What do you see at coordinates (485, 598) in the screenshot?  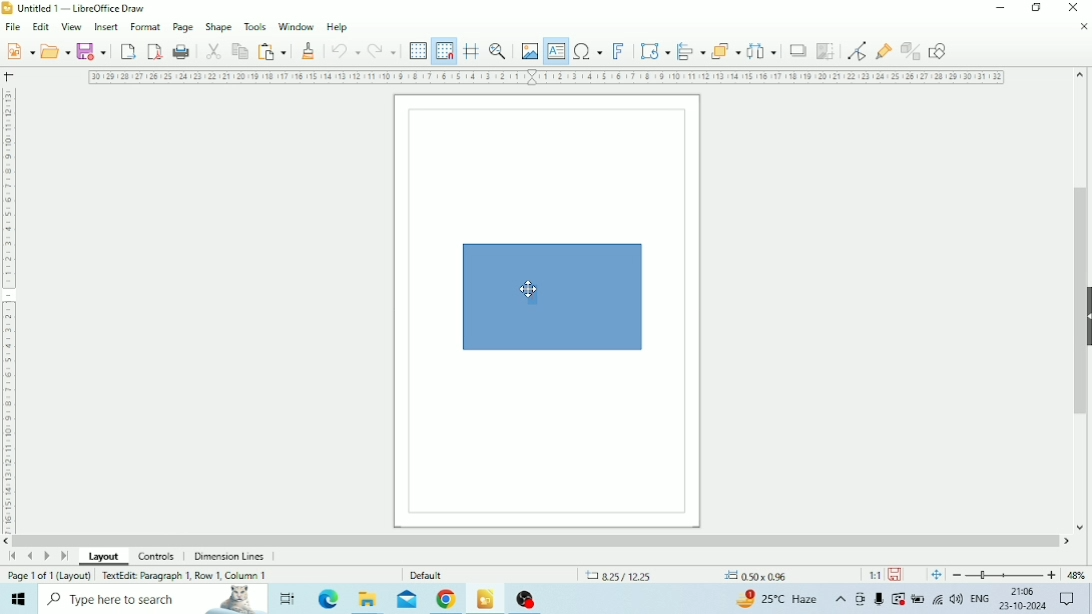 I see `LibreOffice Draw` at bounding box center [485, 598].